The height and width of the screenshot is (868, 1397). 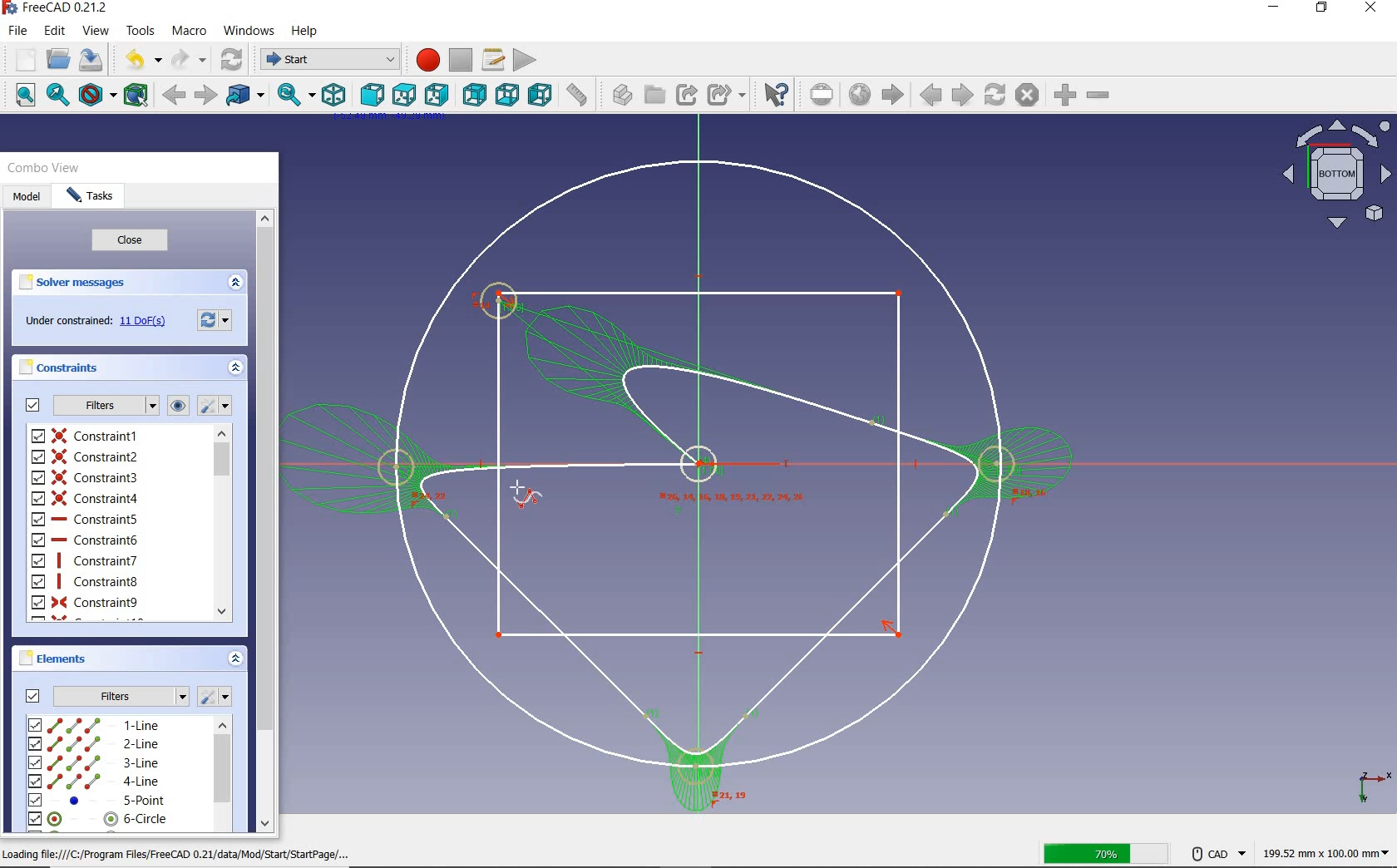 What do you see at coordinates (86, 498) in the screenshot?
I see `constraint4` at bounding box center [86, 498].